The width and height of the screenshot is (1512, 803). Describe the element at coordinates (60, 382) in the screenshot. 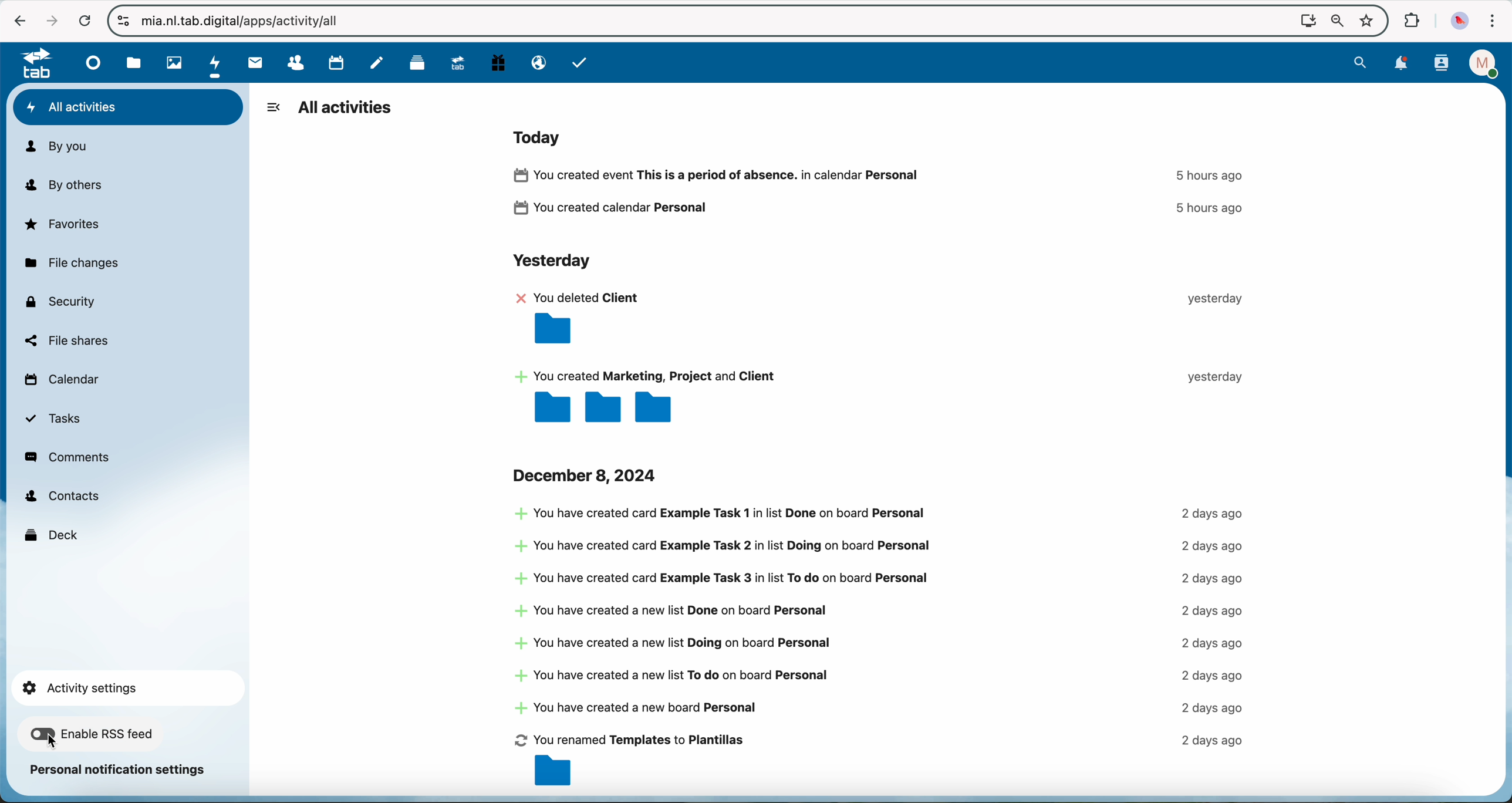

I see `calendar` at that location.